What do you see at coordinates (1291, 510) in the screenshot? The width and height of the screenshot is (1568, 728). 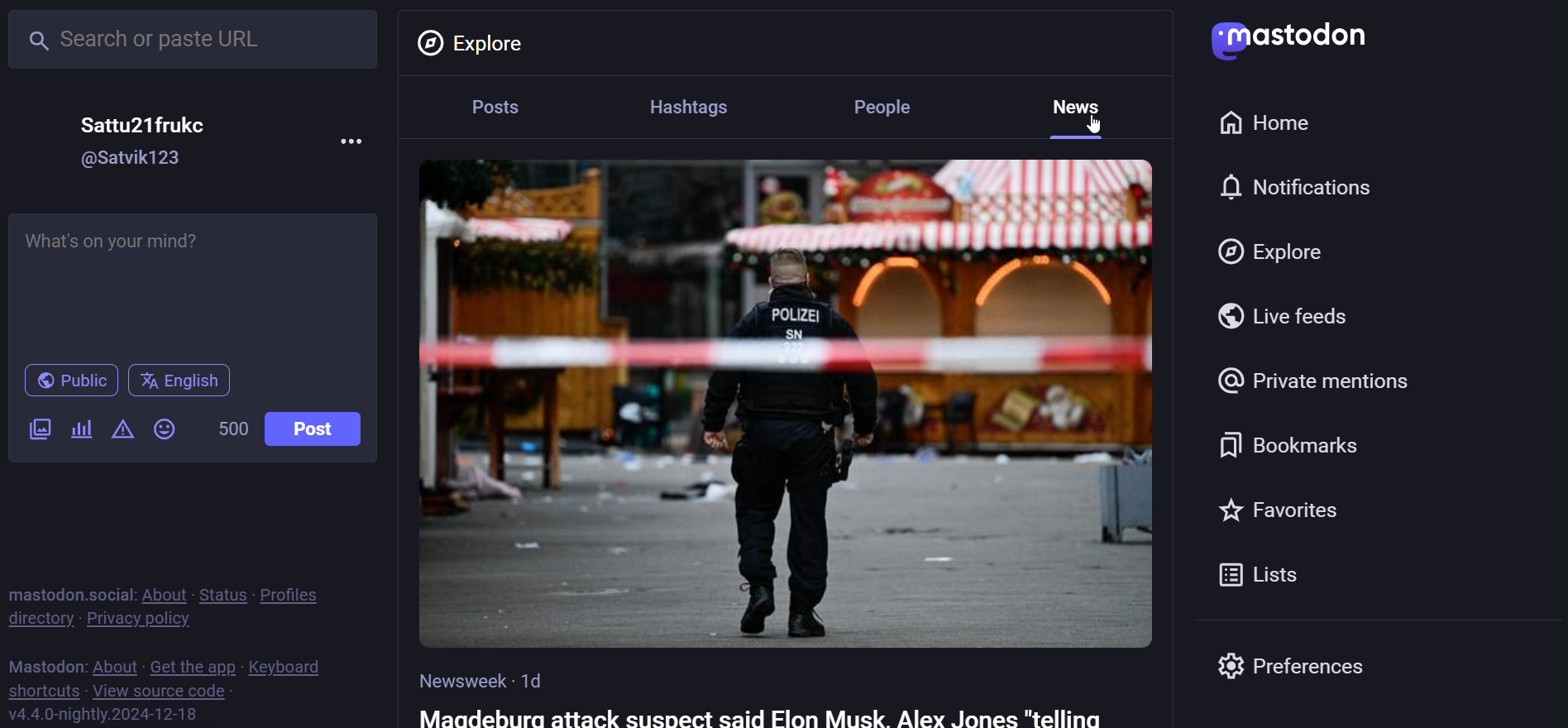 I see `favorite` at bounding box center [1291, 510].